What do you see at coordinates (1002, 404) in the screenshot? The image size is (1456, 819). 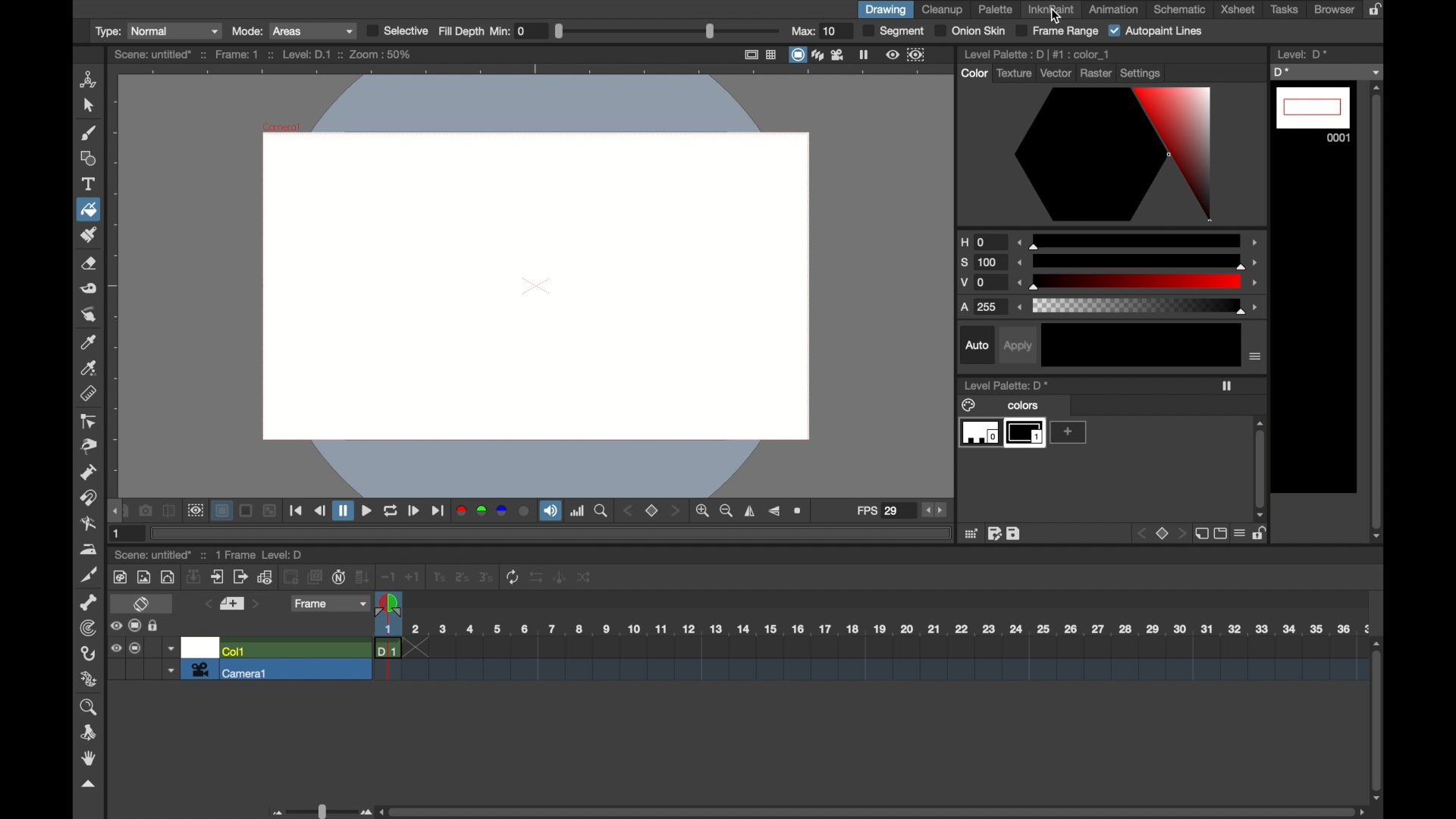 I see `colors` at bounding box center [1002, 404].